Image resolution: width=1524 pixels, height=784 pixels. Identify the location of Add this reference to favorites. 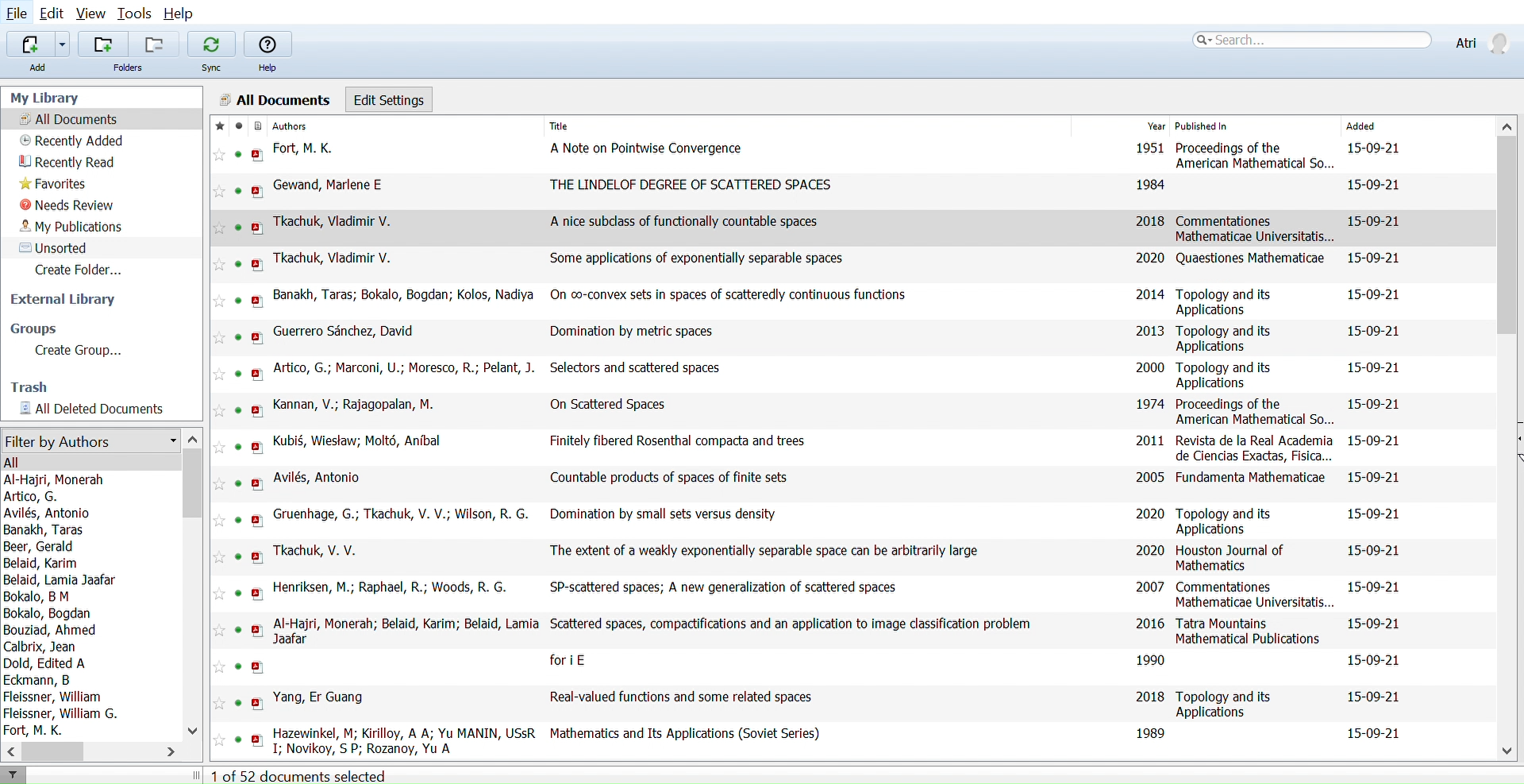
(219, 557).